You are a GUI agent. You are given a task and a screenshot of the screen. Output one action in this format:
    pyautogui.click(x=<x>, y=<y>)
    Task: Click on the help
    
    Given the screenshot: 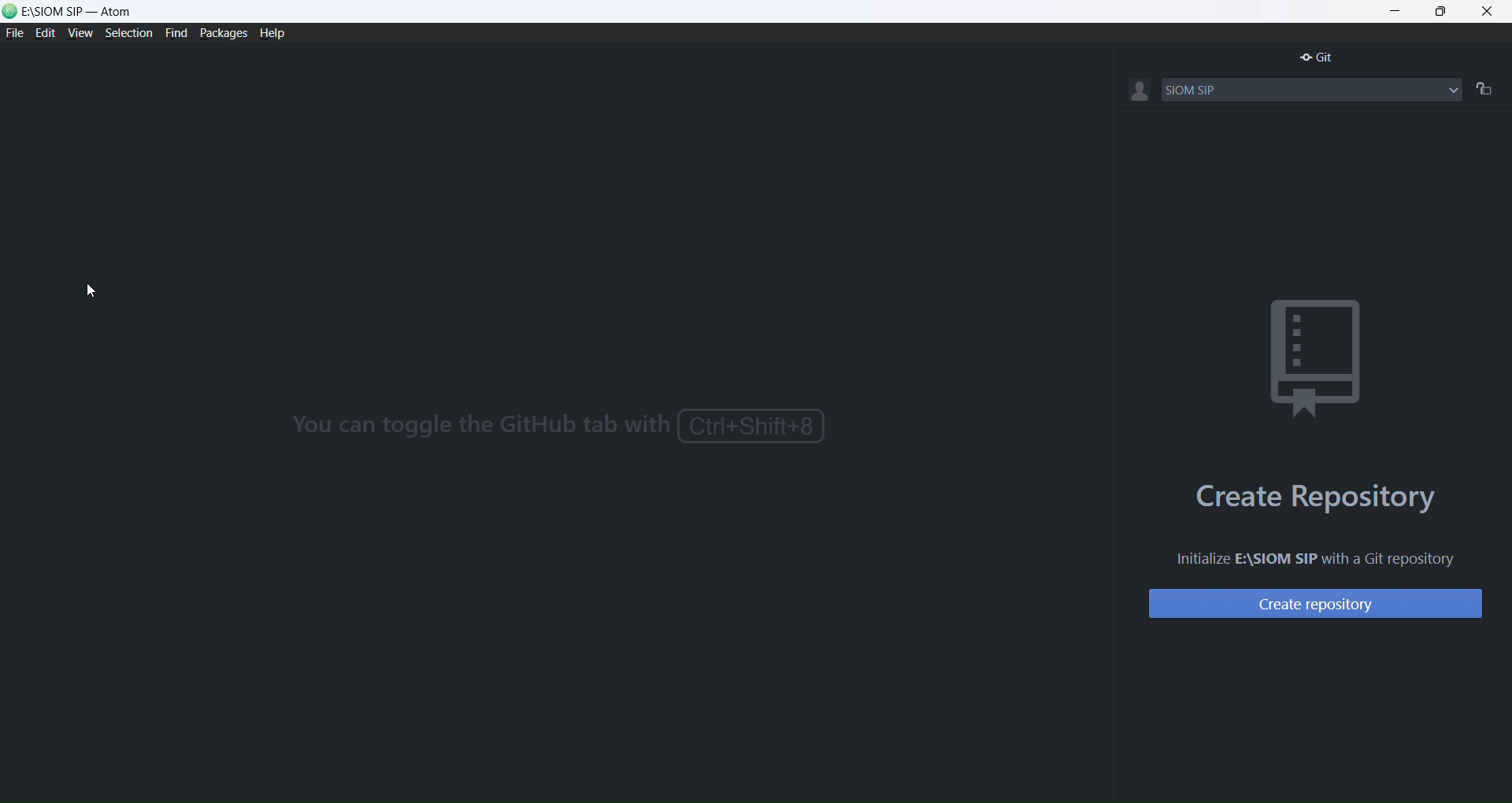 What is the action you would take?
    pyautogui.click(x=277, y=35)
    